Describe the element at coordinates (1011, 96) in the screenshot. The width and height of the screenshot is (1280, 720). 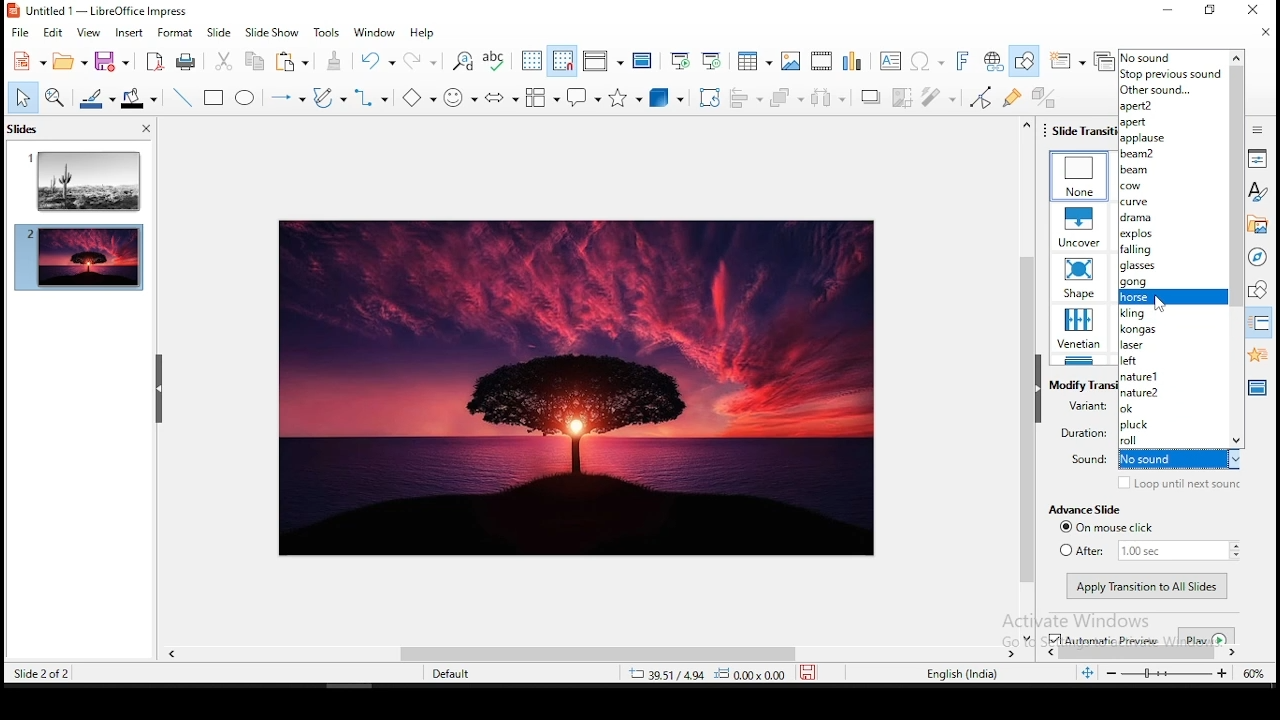
I see `show gluepoint functions` at that location.